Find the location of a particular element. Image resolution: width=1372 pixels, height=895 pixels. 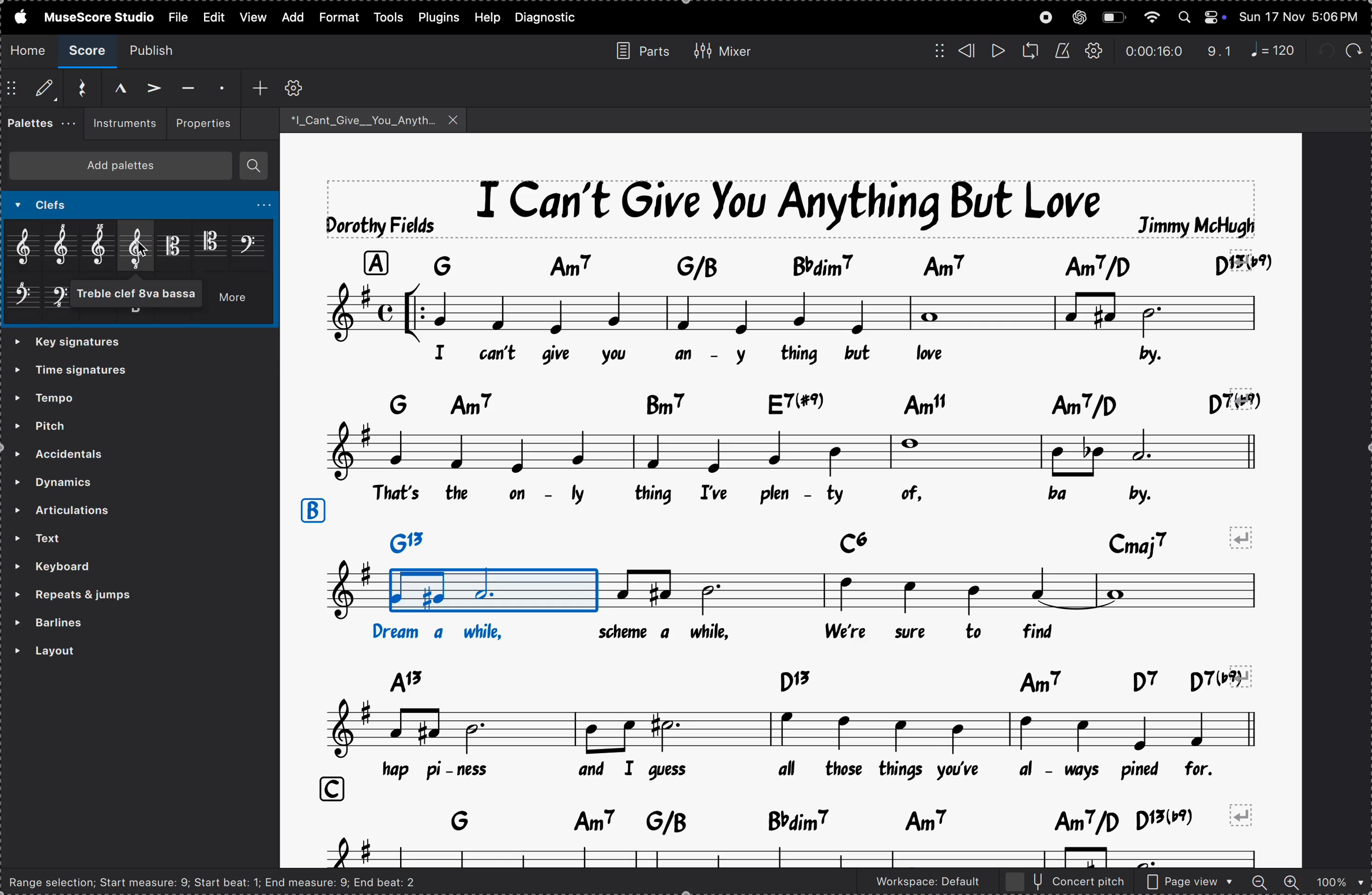

redo is located at coordinates (1352, 48).